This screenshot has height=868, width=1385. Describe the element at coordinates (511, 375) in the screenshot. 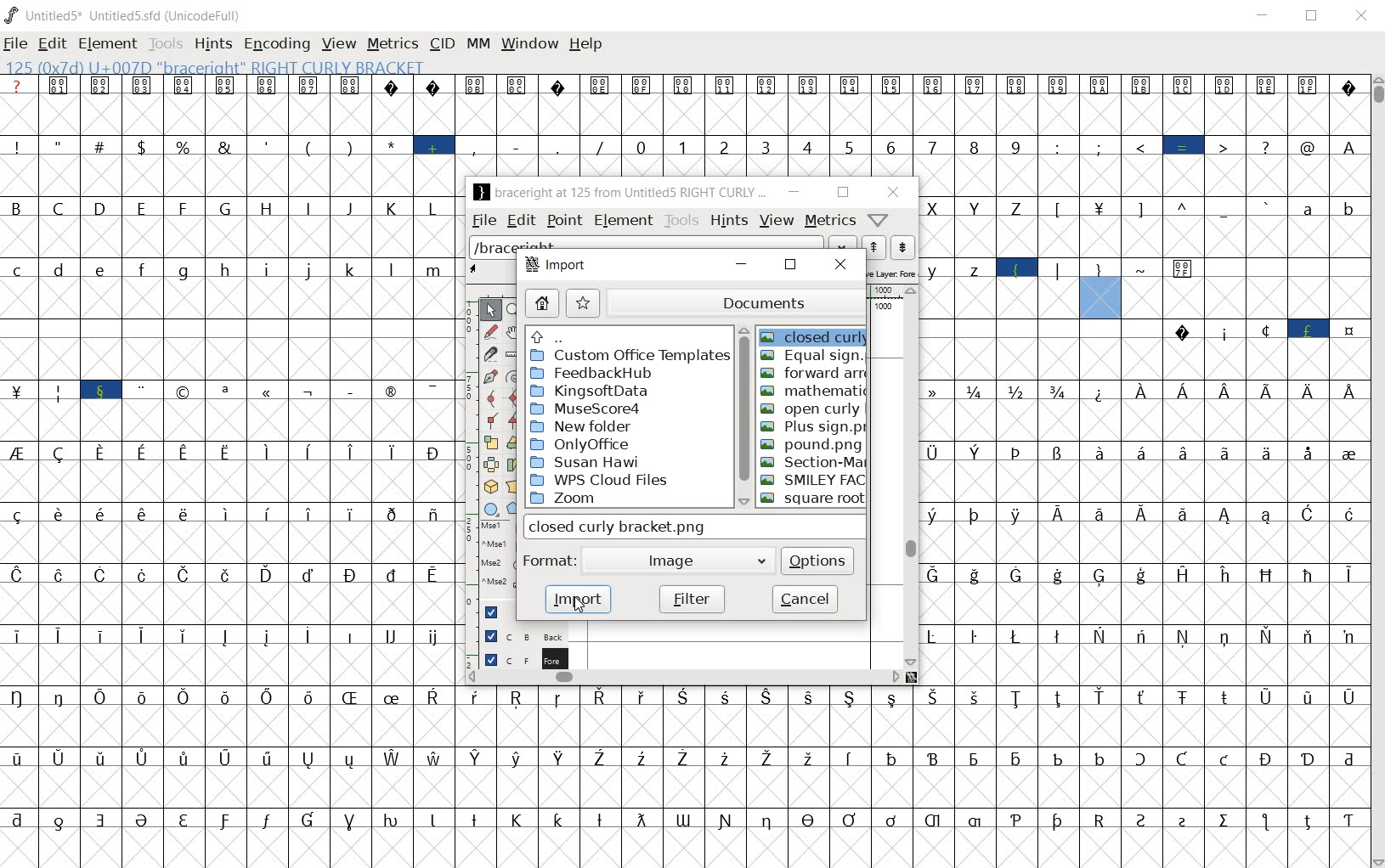

I see `change whether spiro is active or not` at that location.